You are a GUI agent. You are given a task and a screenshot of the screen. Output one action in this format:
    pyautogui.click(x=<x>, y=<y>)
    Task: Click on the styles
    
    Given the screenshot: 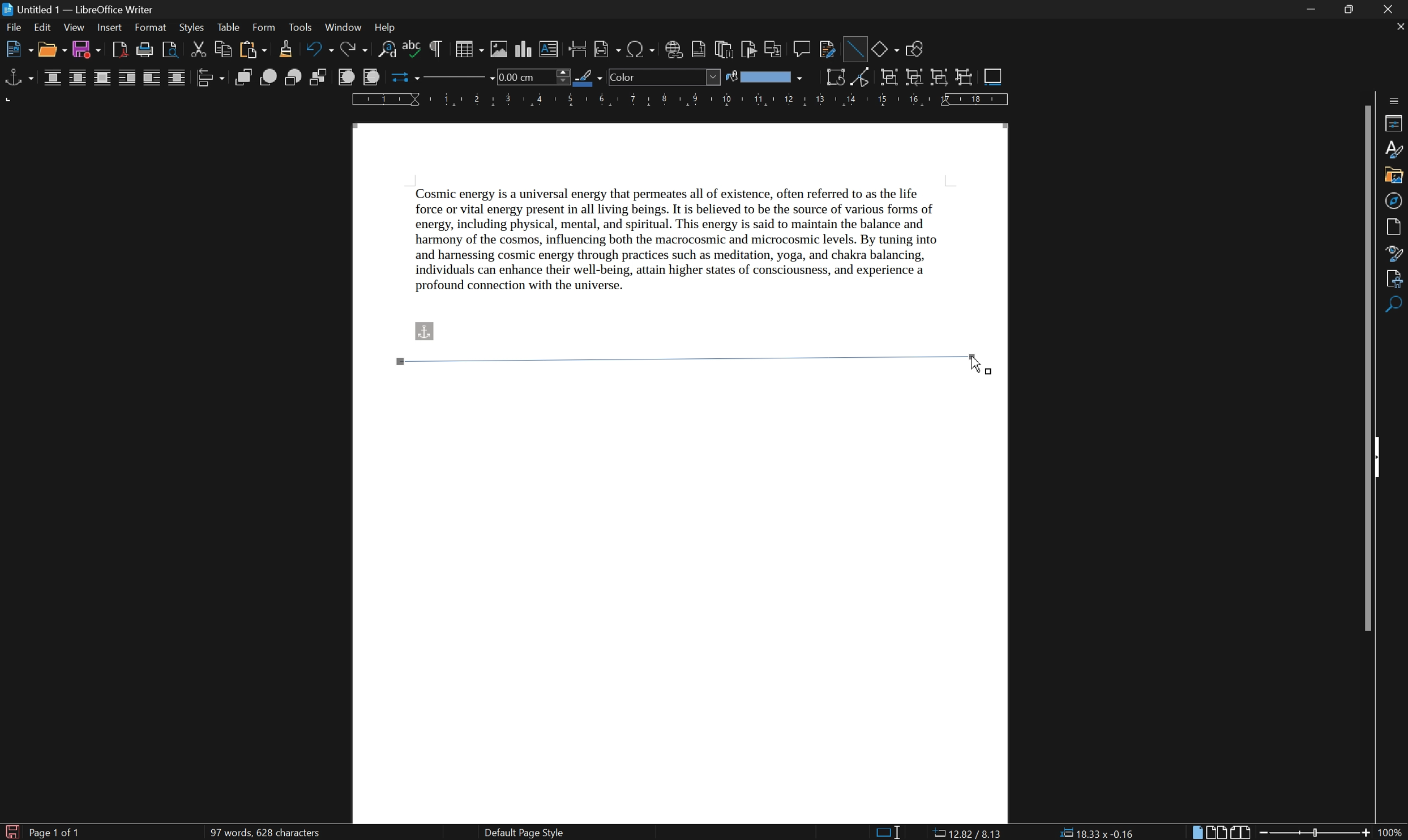 What is the action you would take?
    pyautogui.click(x=1394, y=149)
    